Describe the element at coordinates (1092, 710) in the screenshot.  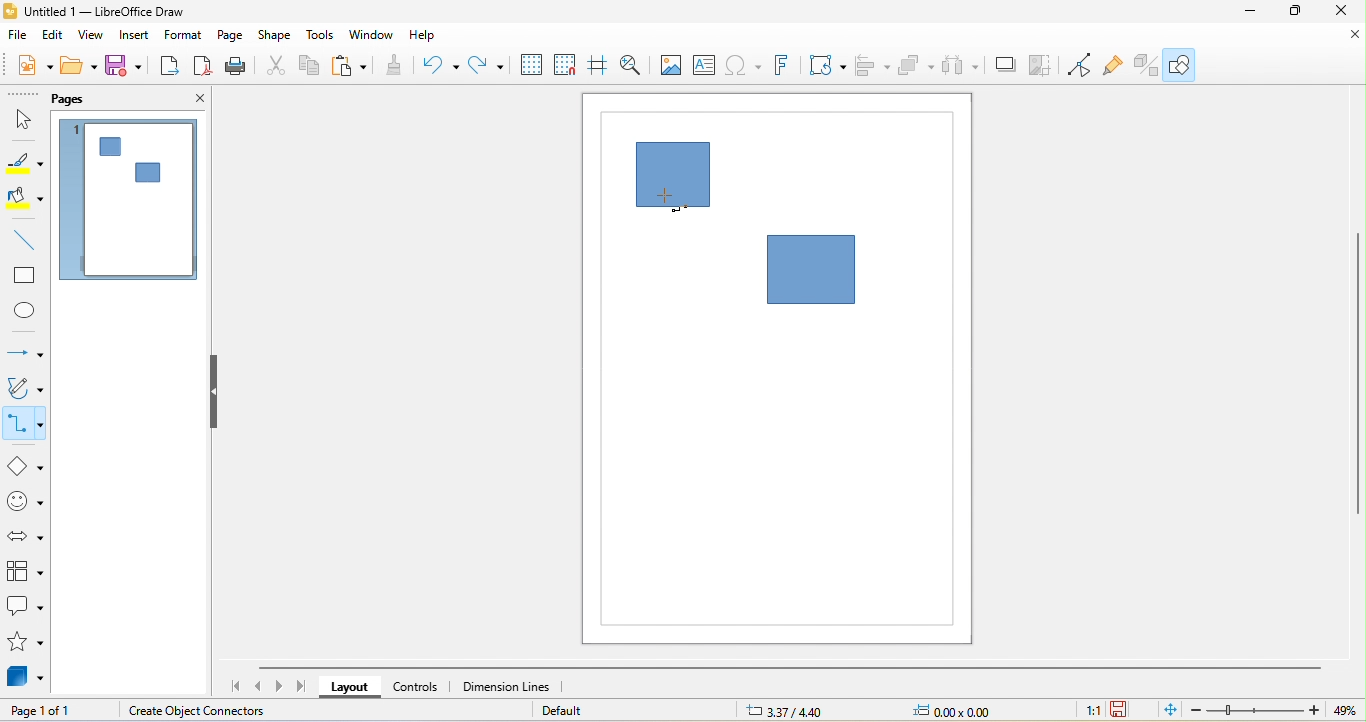
I see `1:1` at that location.